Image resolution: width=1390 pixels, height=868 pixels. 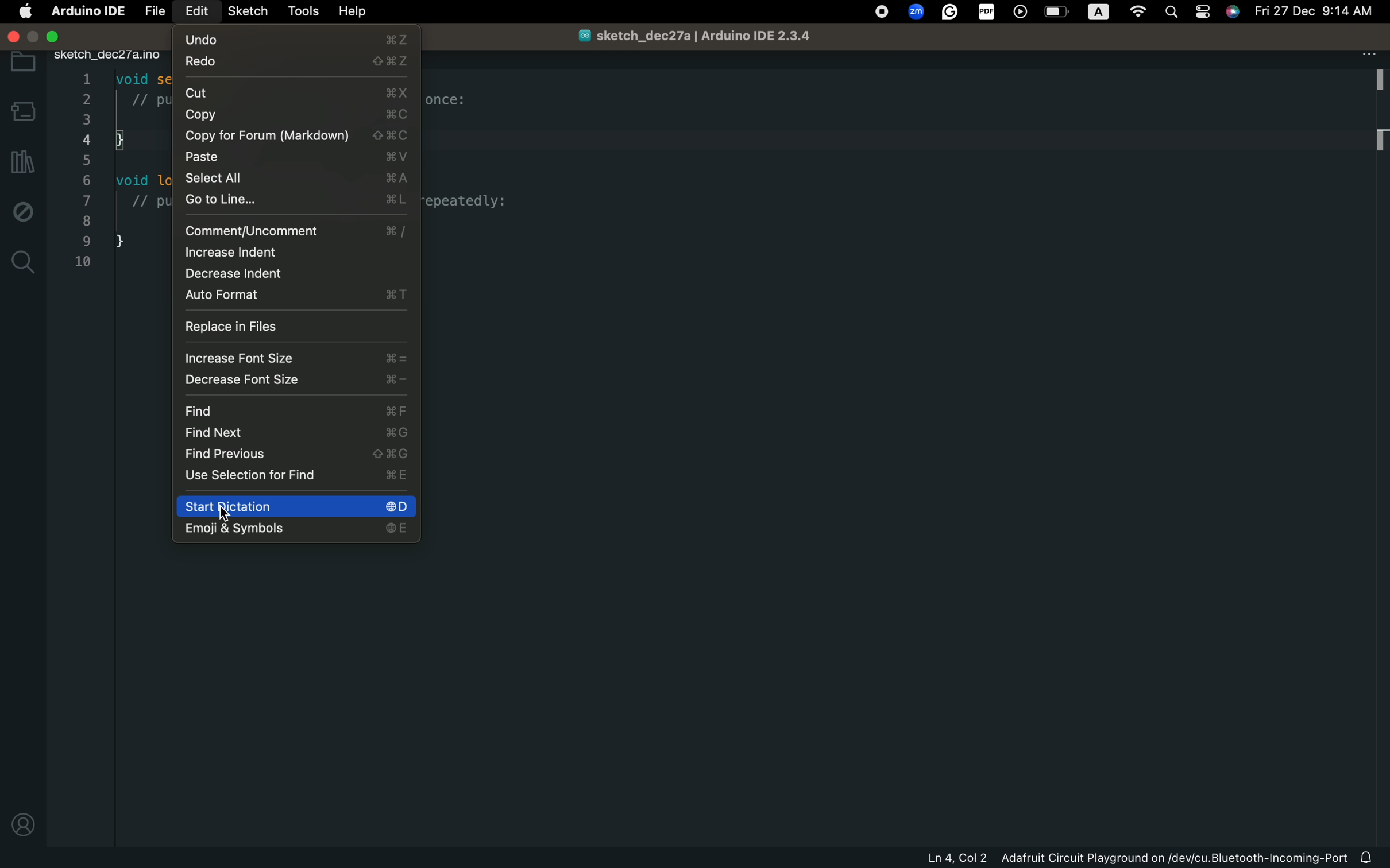 What do you see at coordinates (297, 435) in the screenshot?
I see `find next` at bounding box center [297, 435].